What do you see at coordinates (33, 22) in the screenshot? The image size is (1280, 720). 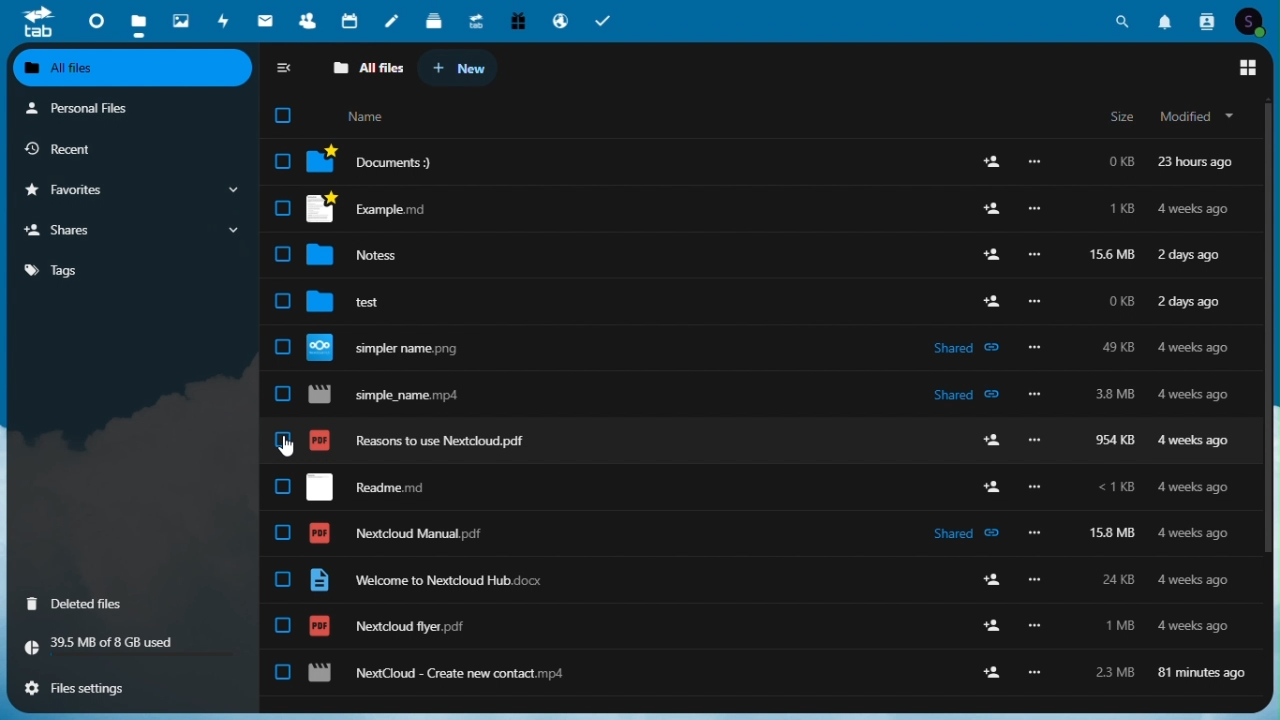 I see `tab` at bounding box center [33, 22].